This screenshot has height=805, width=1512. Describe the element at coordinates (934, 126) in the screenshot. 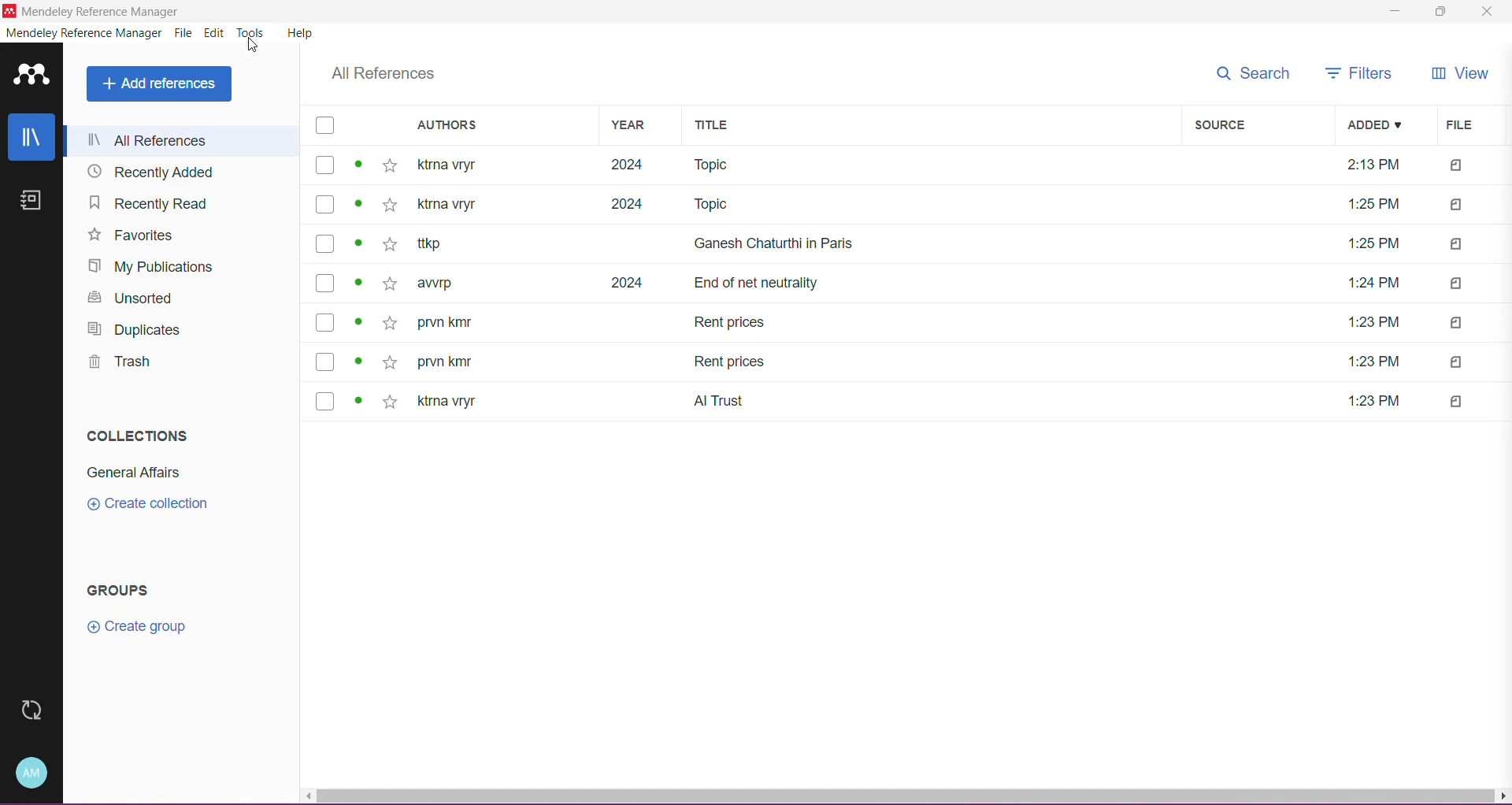

I see `Title` at that location.